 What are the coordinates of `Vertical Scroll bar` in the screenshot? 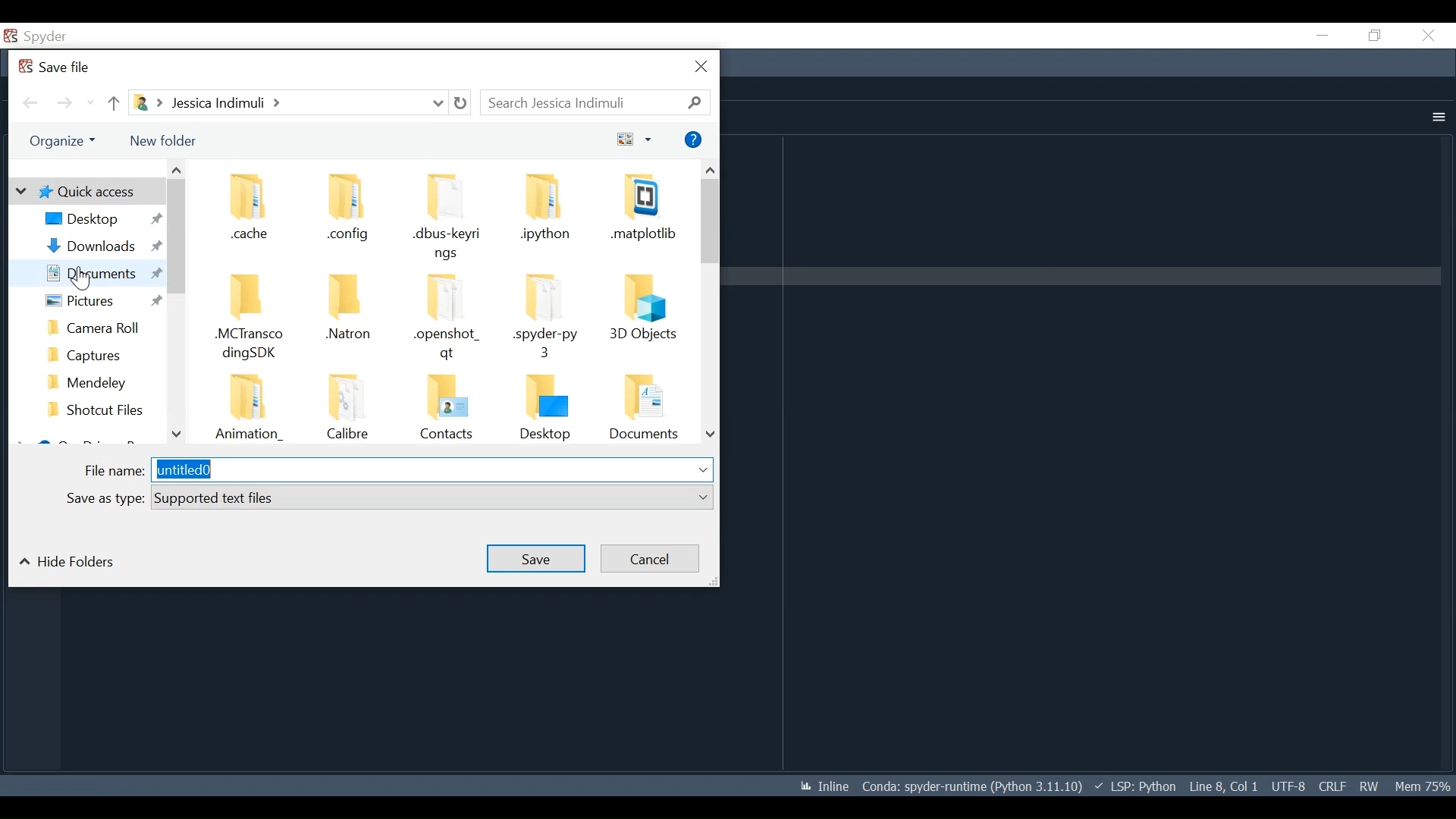 It's located at (711, 221).